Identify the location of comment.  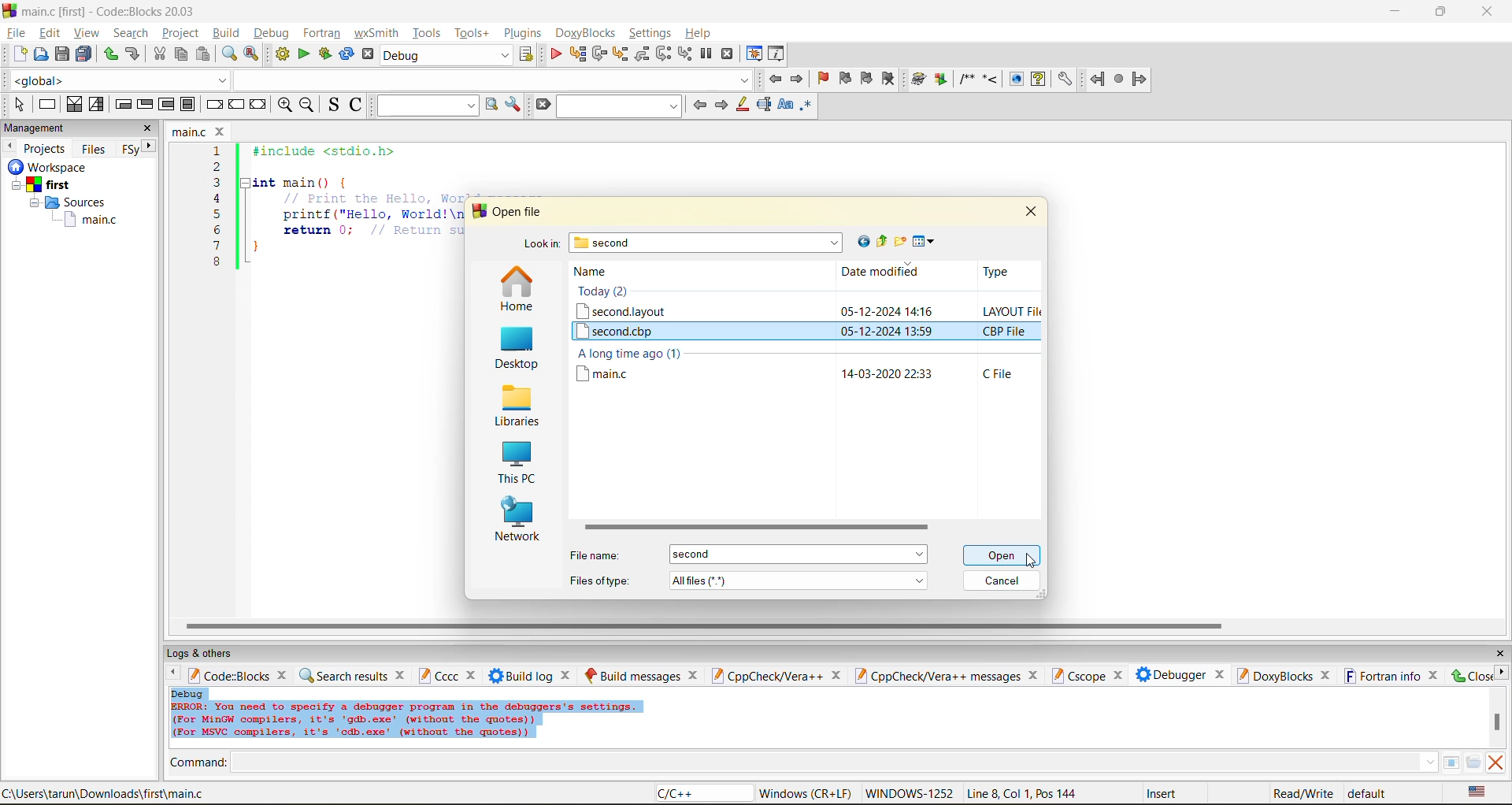
(966, 79).